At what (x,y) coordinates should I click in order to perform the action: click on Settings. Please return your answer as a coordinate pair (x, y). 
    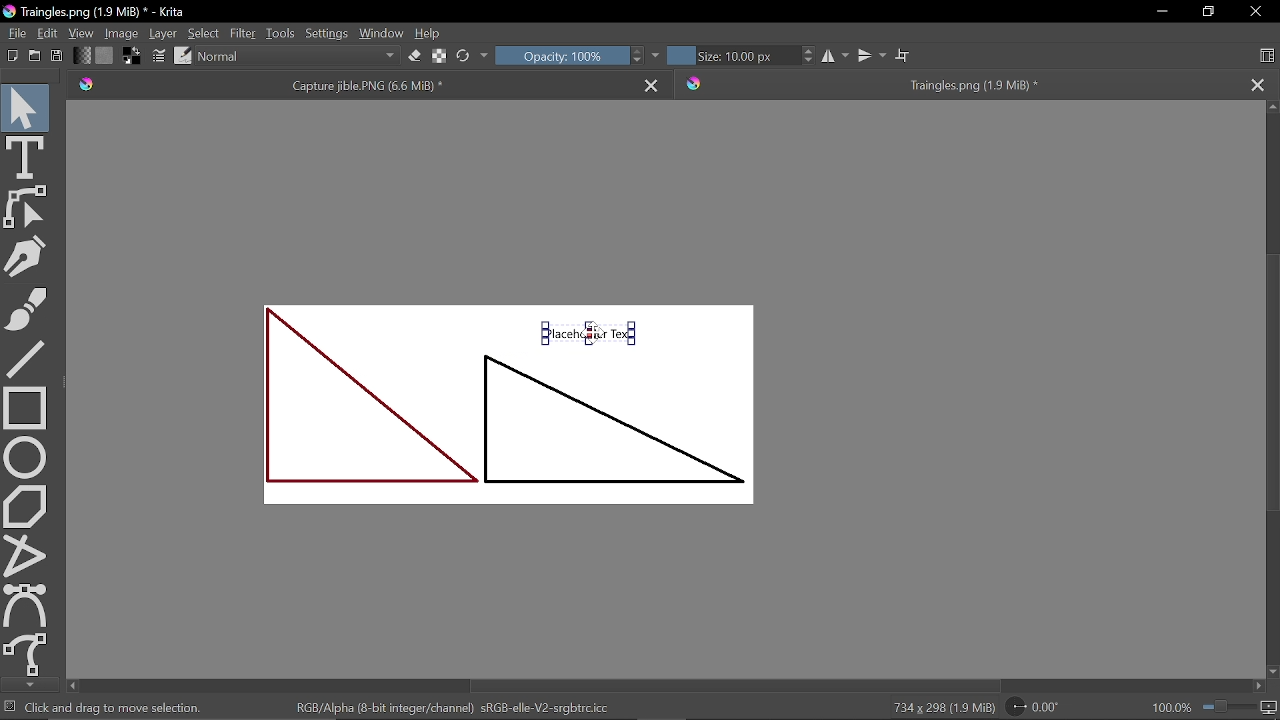
    Looking at the image, I should click on (326, 32).